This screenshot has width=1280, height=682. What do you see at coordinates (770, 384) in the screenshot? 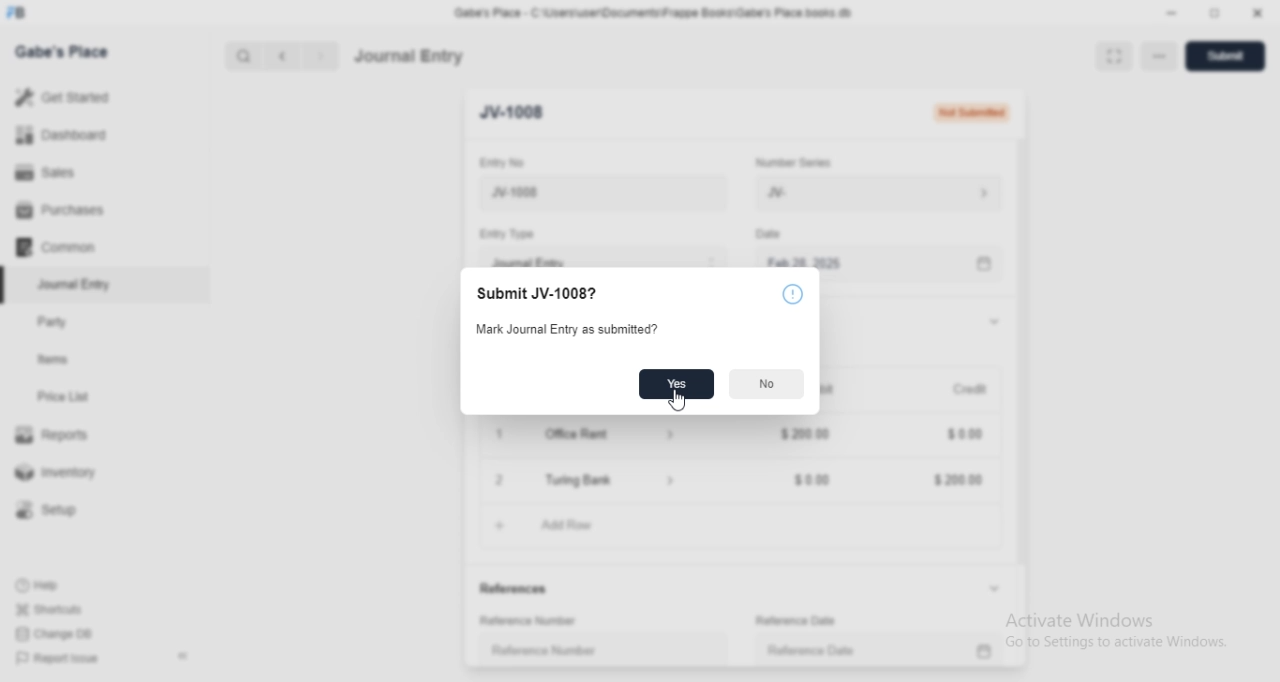
I see `NO` at bounding box center [770, 384].